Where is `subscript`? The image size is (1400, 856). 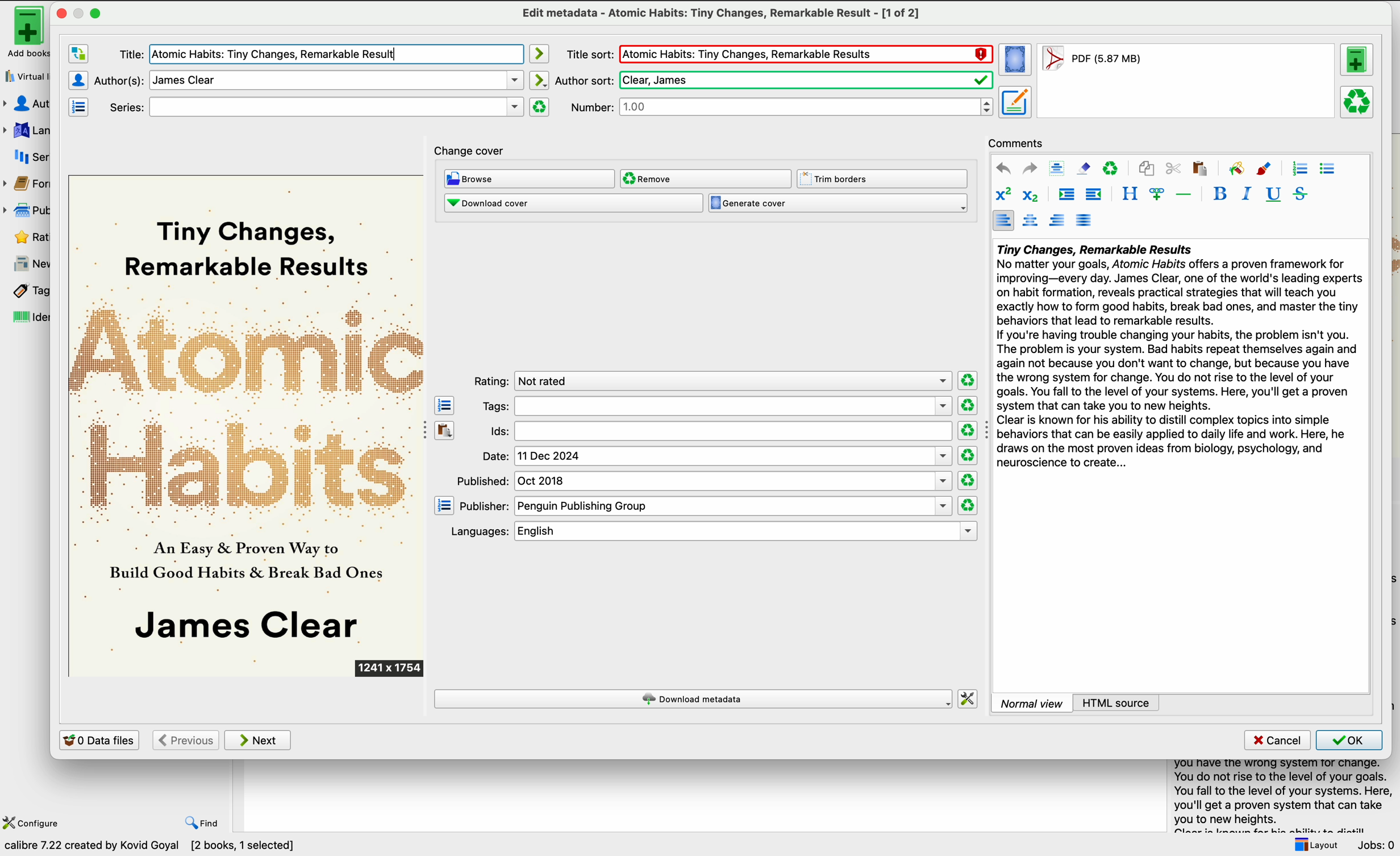
subscript is located at coordinates (1033, 195).